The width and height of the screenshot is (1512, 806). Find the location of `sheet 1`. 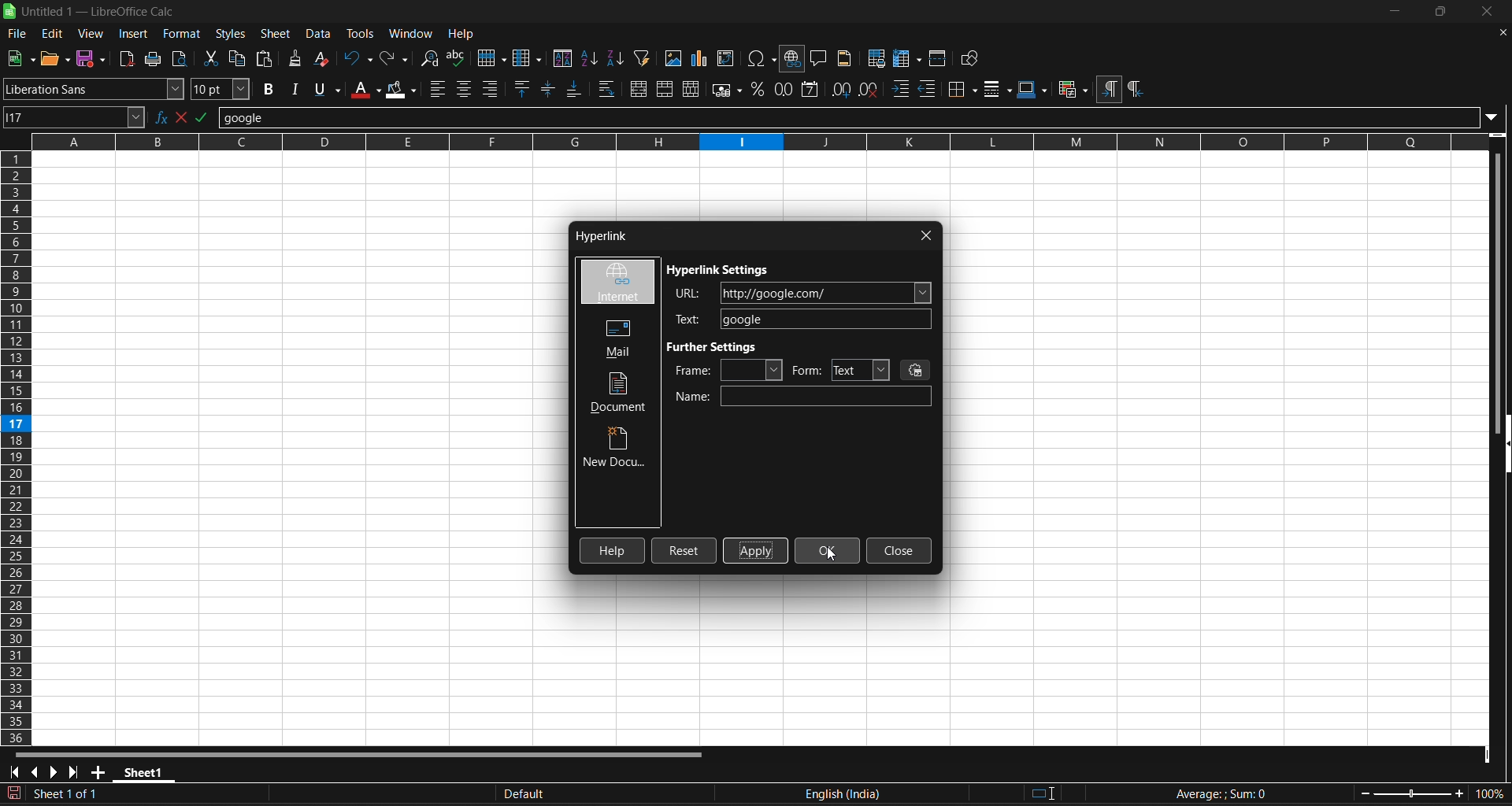

sheet 1 is located at coordinates (144, 771).